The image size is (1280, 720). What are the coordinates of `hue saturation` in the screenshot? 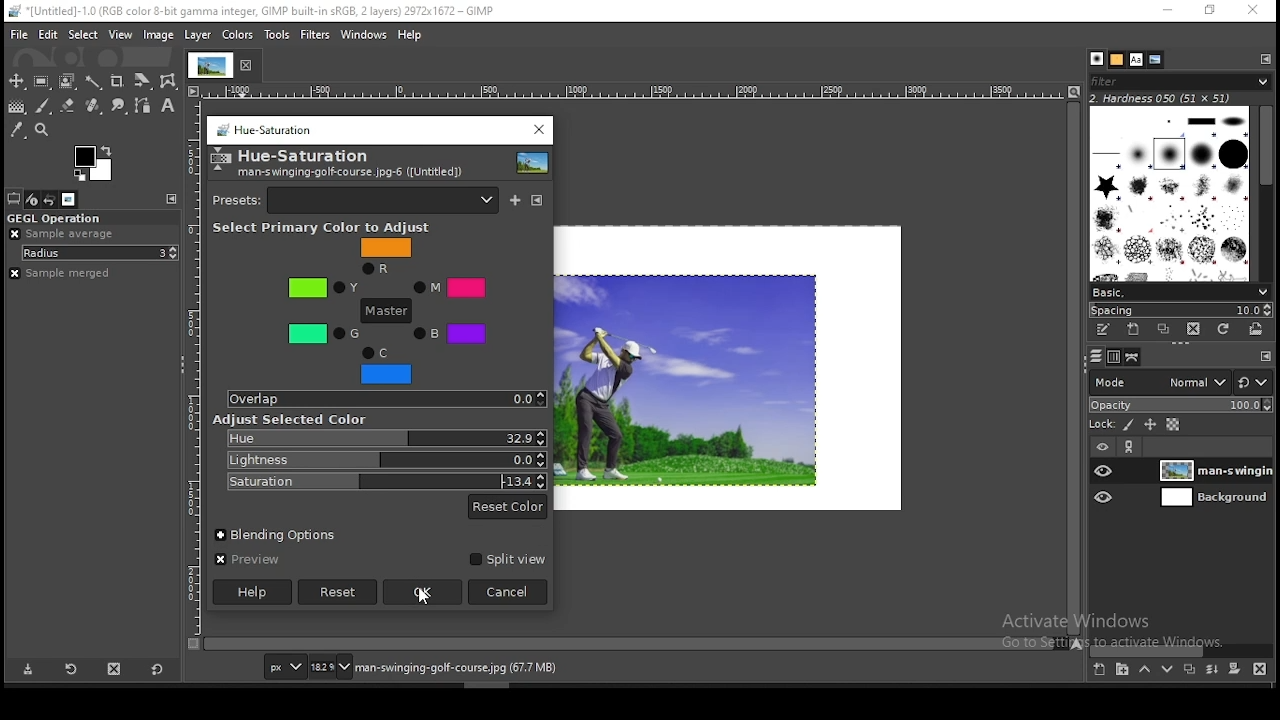 It's located at (264, 131).